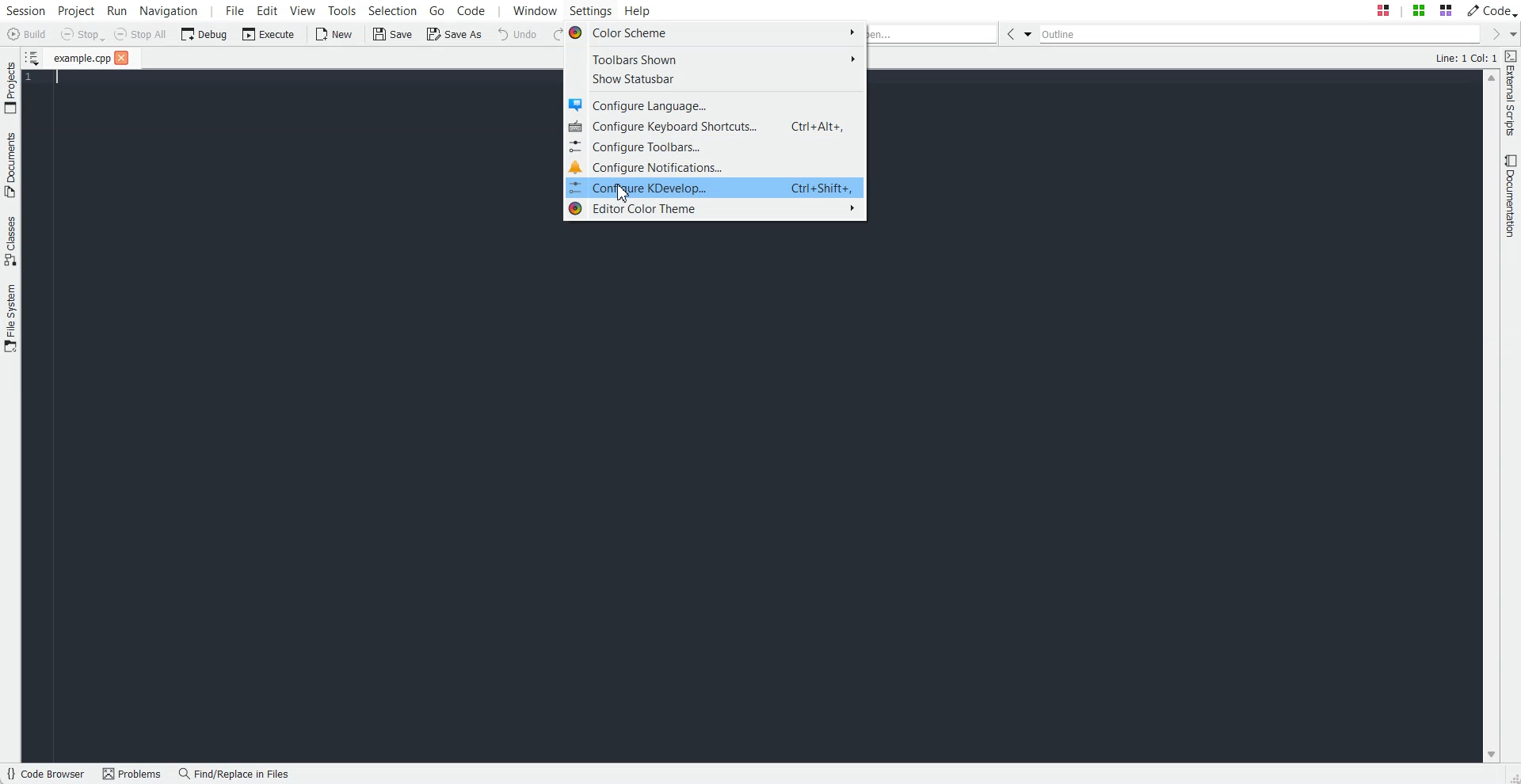  I want to click on File System, so click(10, 319).